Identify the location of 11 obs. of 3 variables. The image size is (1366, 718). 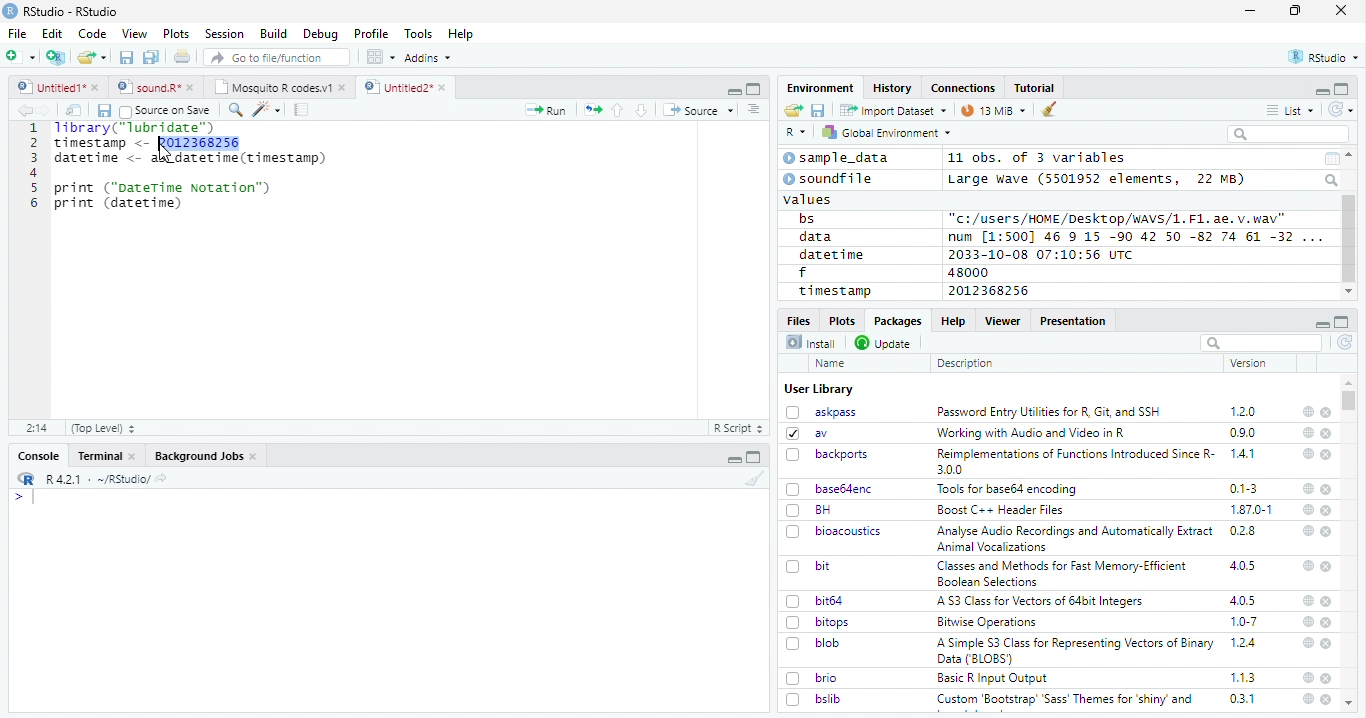
(1038, 159).